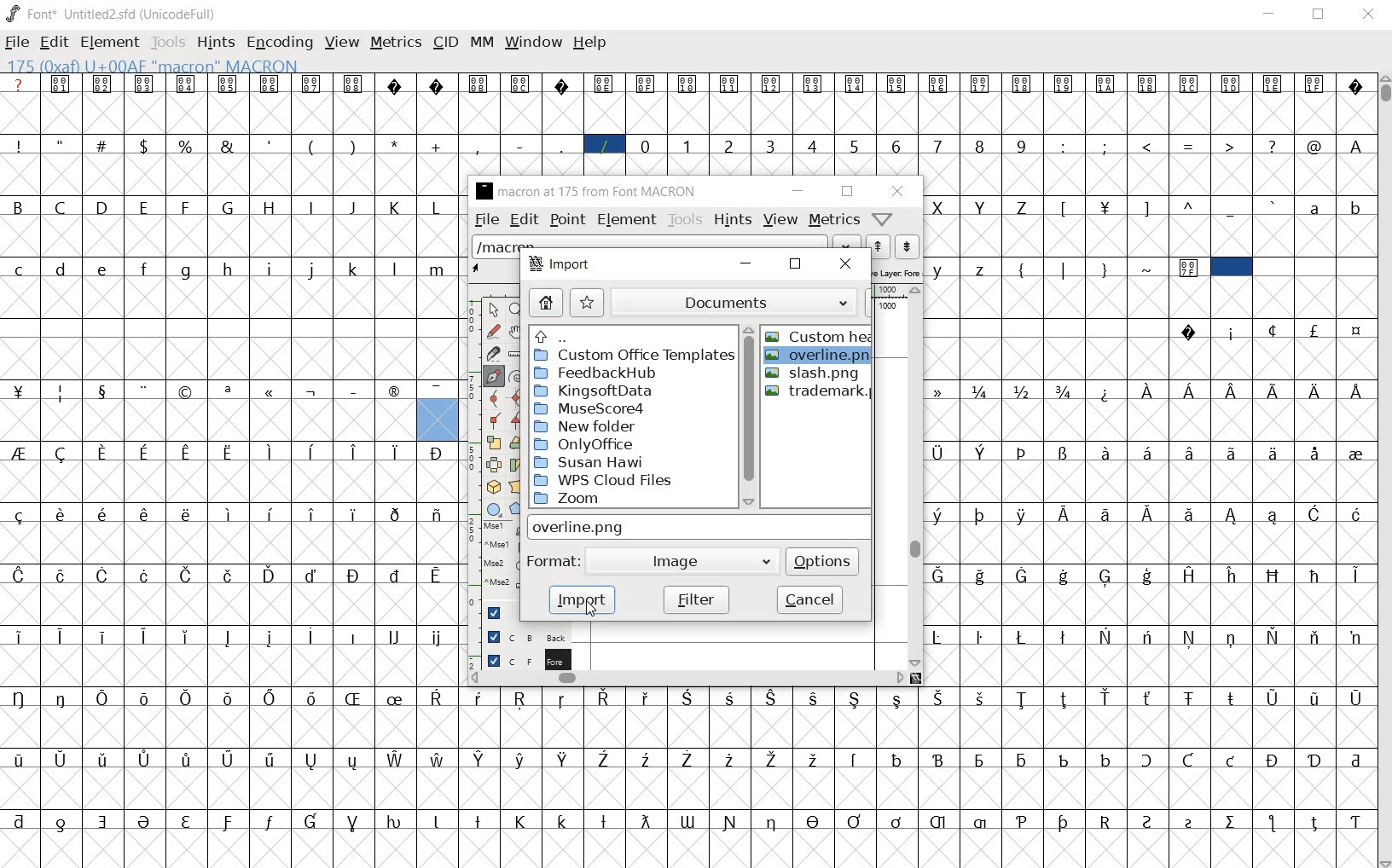 The width and height of the screenshot is (1392, 868). Describe the element at coordinates (628, 221) in the screenshot. I see `element` at that location.